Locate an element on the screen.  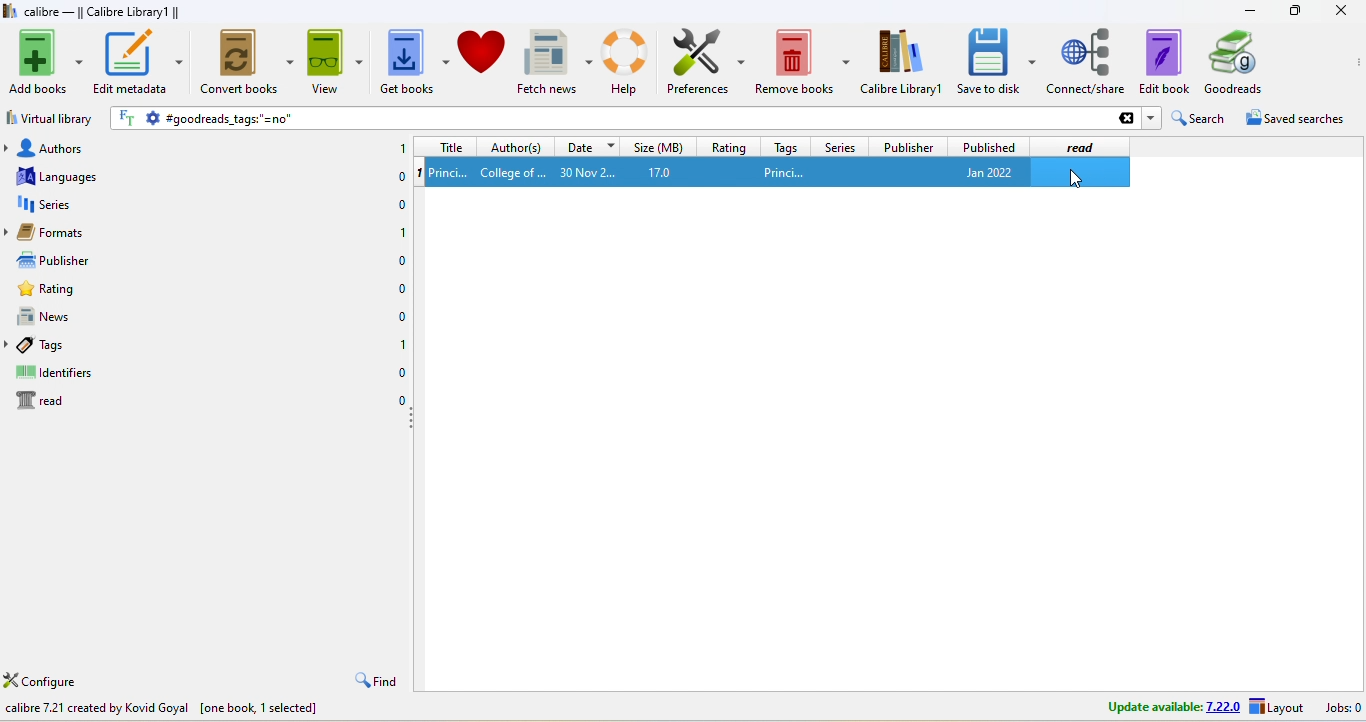
publisher is located at coordinates (906, 145).